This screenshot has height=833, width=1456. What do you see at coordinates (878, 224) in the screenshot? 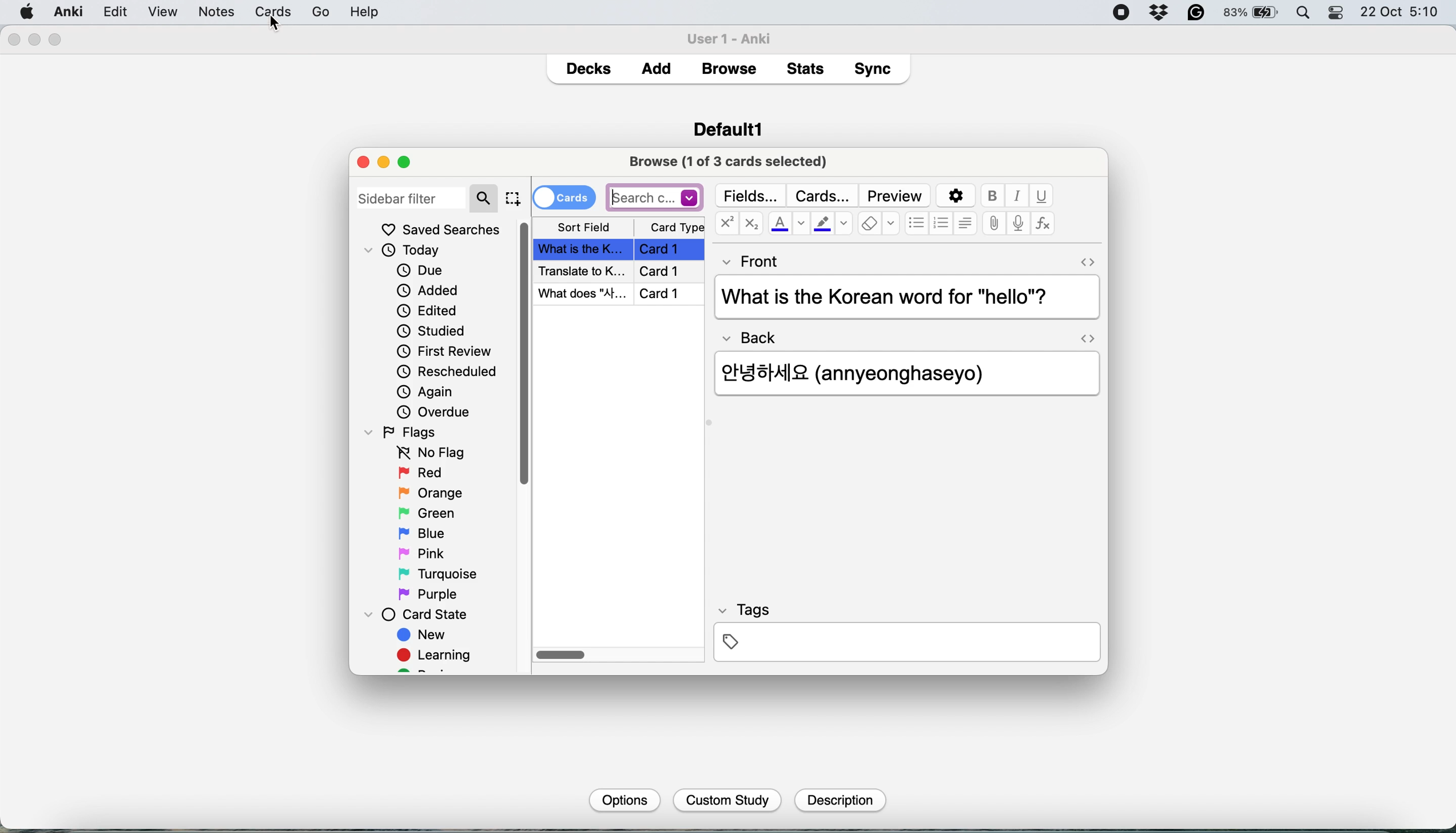
I see `erase` at bounding box center [878, 224].